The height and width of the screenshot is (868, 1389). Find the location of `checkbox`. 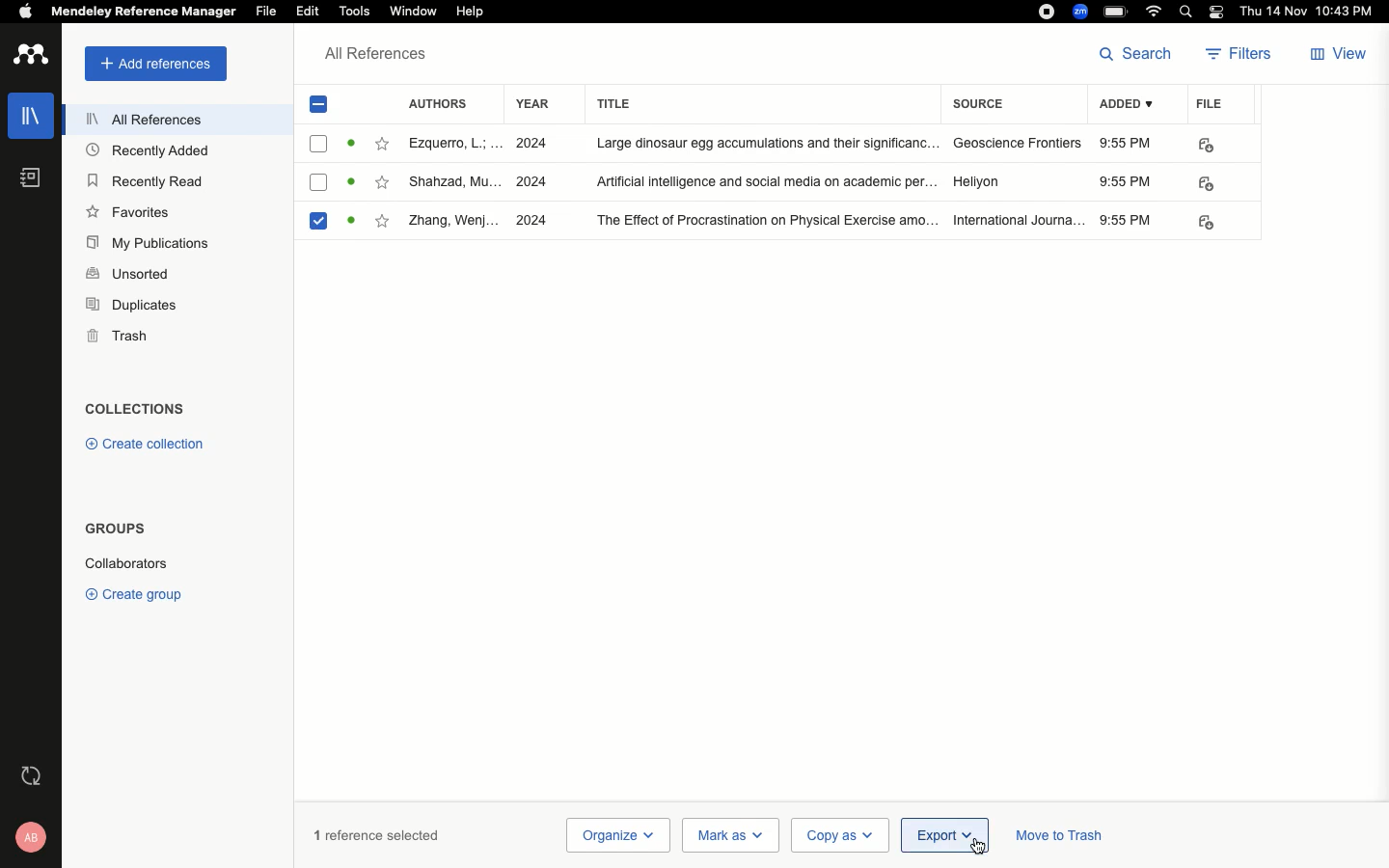

checkbox is located at coordinates (319, 183).